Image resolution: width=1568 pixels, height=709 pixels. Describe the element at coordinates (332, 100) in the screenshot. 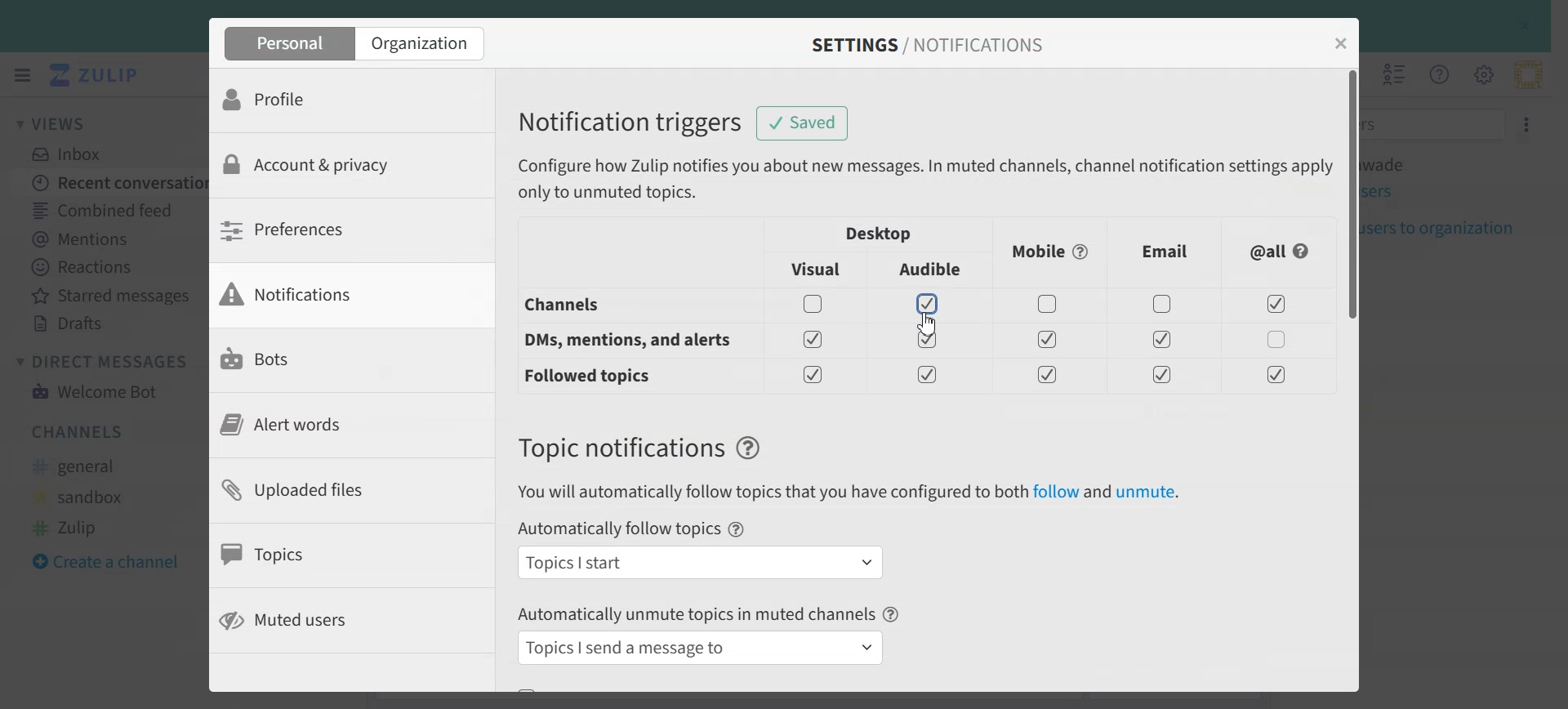

I see `Profile` at that location.